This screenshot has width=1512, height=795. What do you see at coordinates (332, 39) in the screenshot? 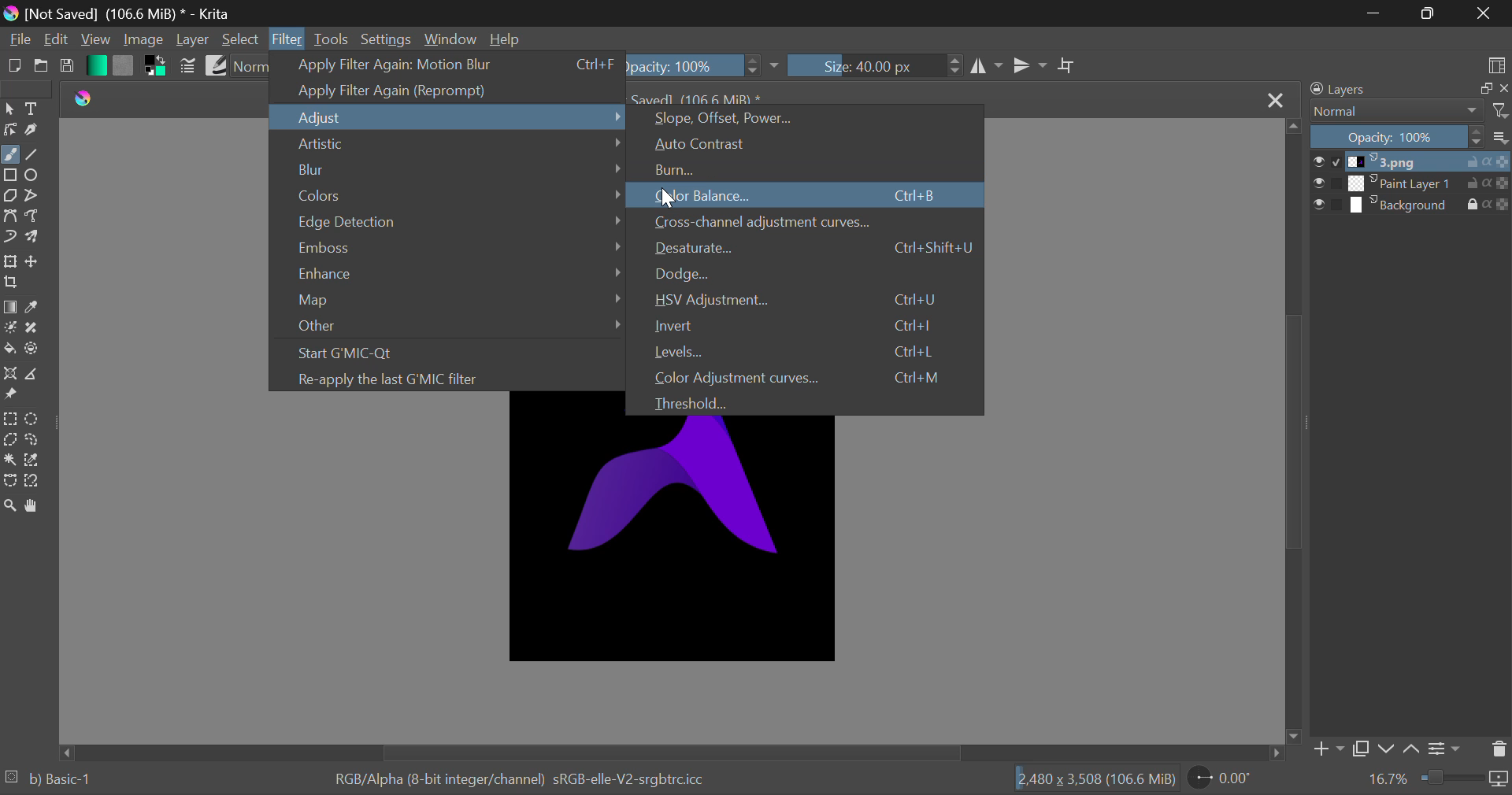
I see `Tools` at bounding box center [332, 39].